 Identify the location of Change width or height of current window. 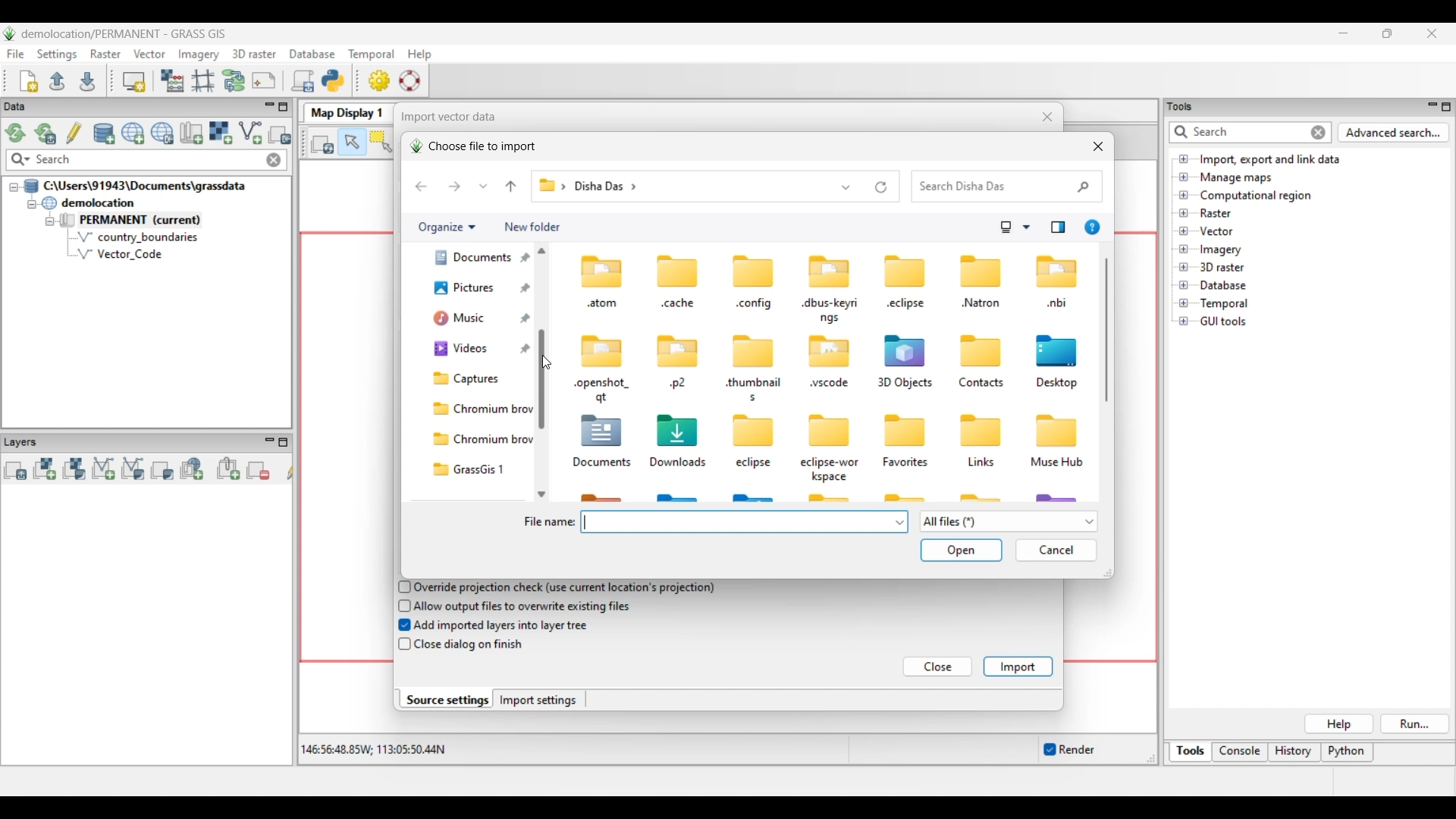
(1106, 573).